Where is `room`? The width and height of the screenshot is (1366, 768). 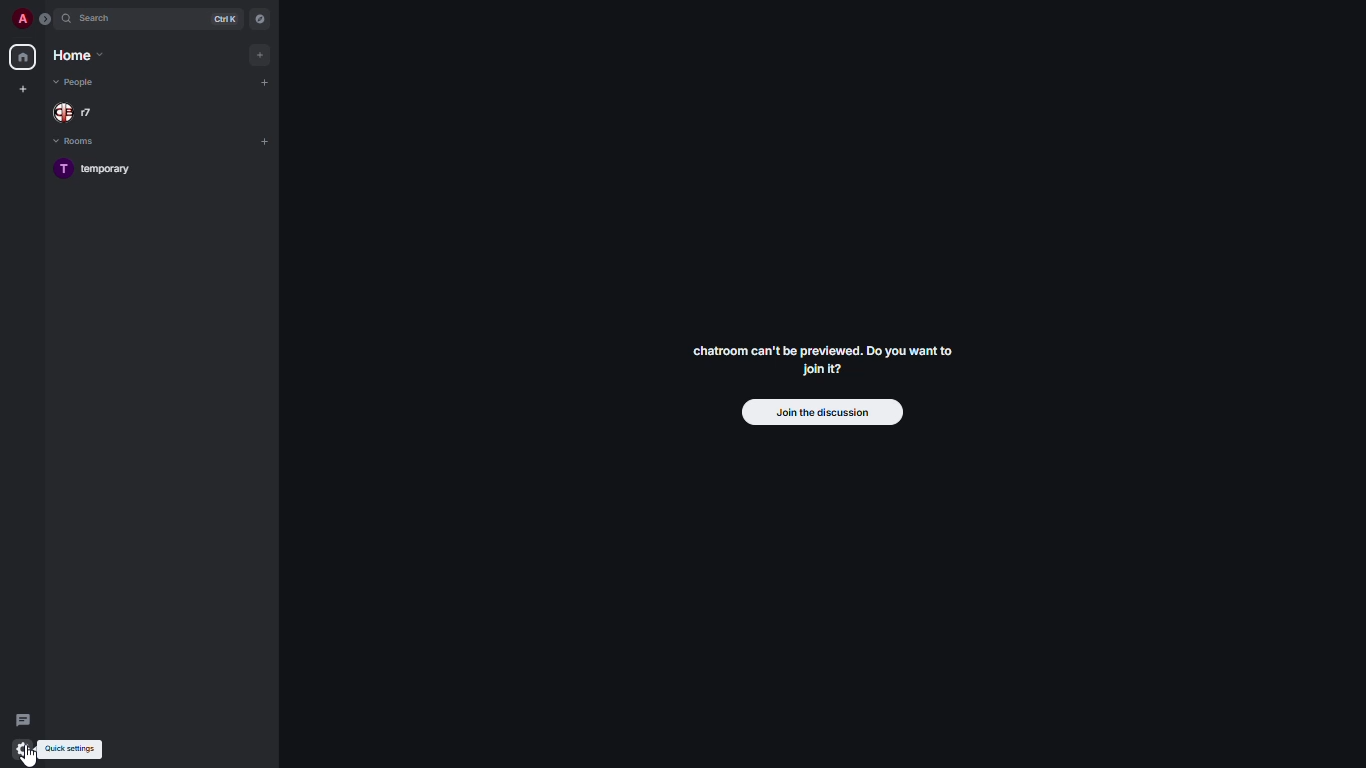 room is located at coordinates (99, 170).